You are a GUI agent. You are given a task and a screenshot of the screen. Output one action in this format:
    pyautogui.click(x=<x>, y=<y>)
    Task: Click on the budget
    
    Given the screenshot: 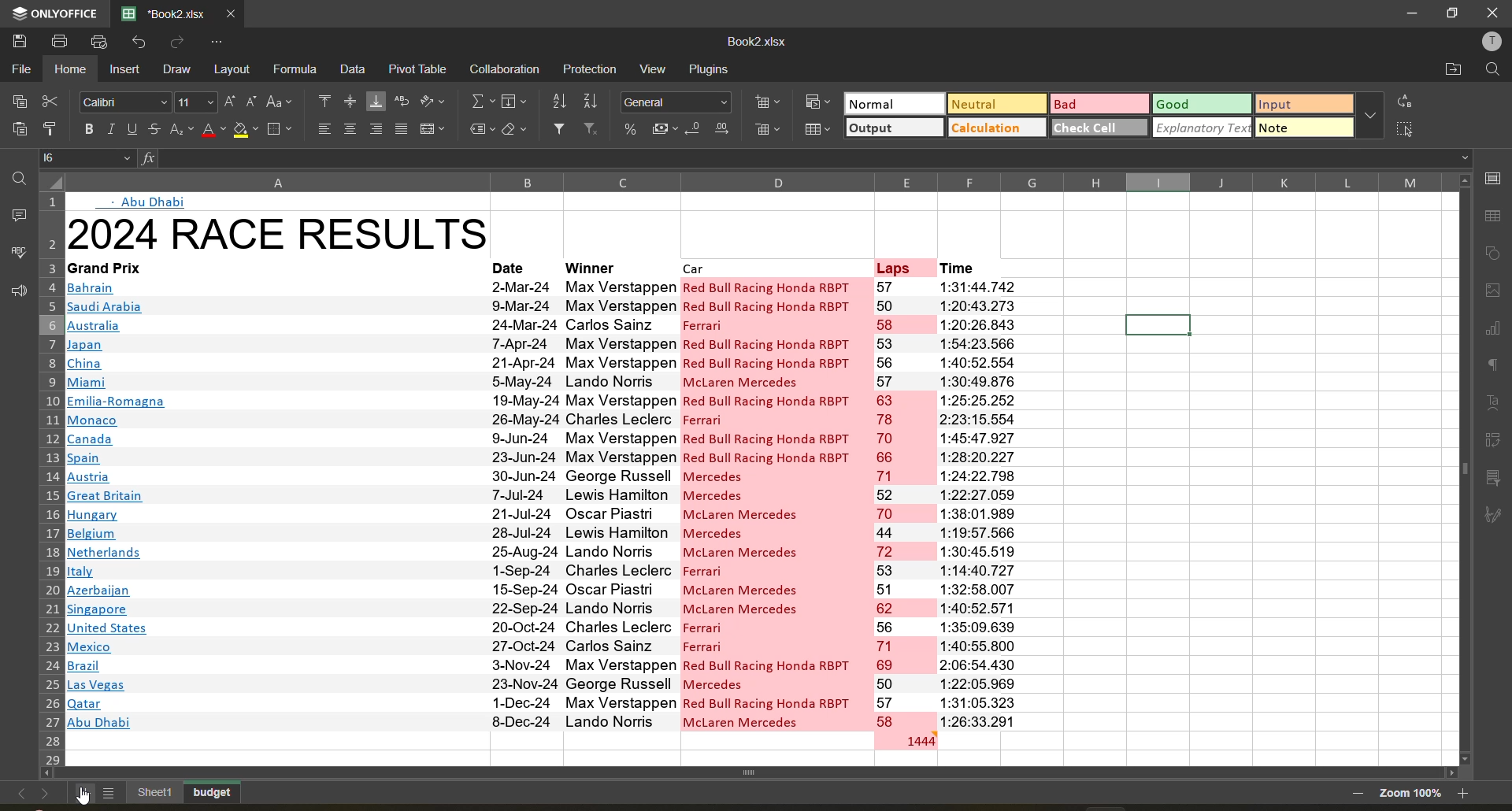 What is the action you would take?
    pyautogui.click(x=209, y=791)
    